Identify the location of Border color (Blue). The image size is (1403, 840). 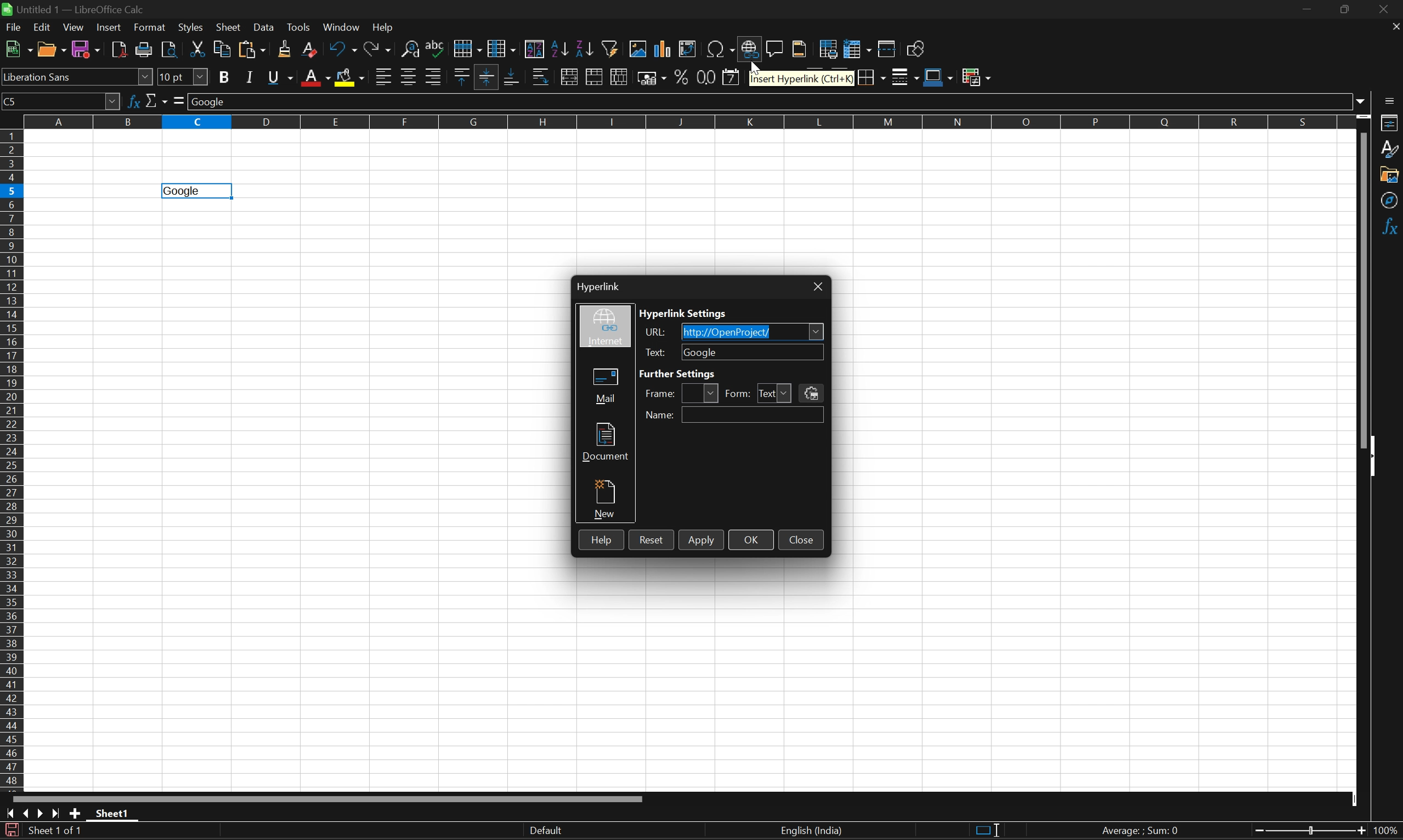
(940, 77).